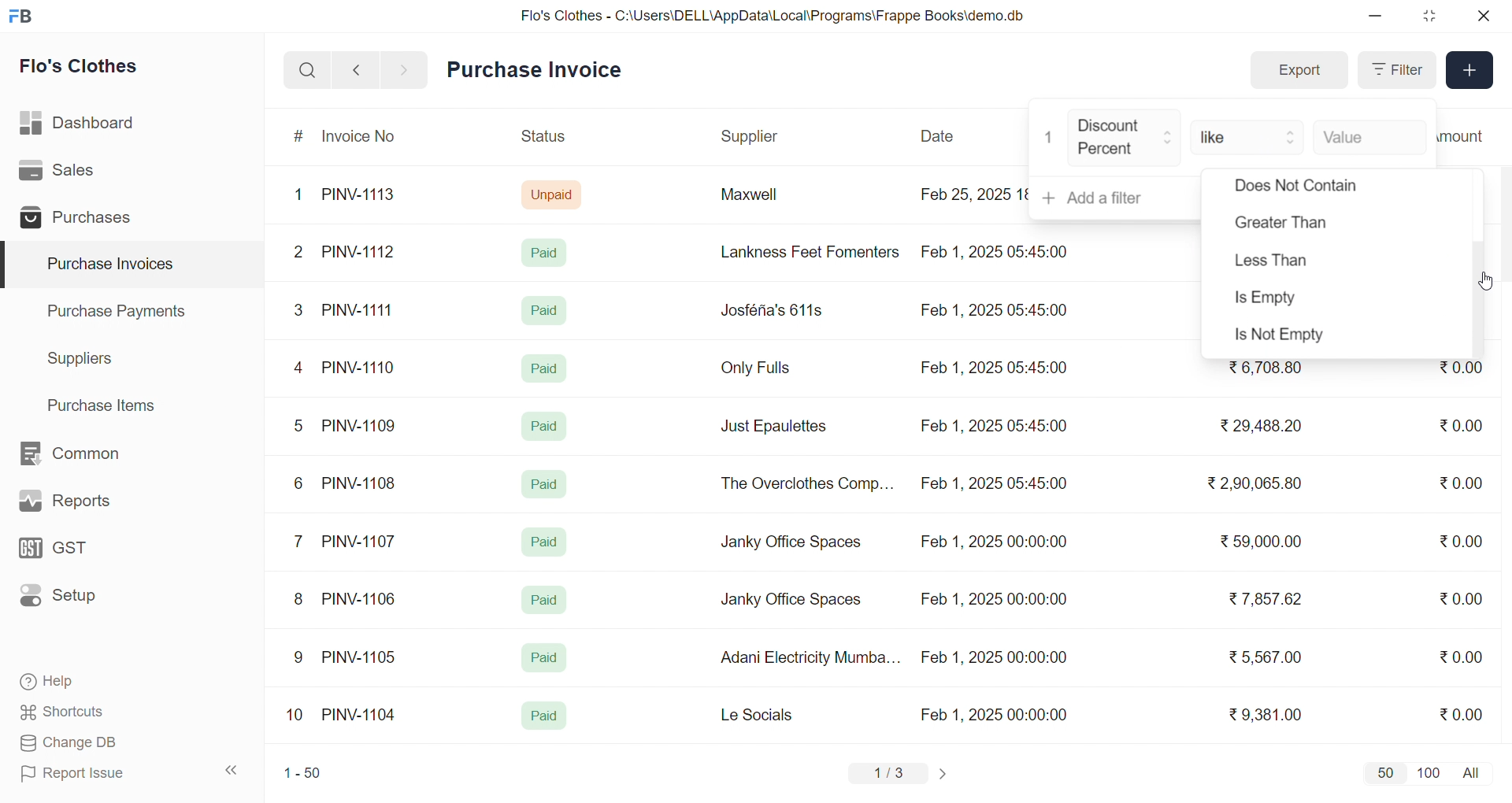  Describe the element at coordinates (1265, 368) in the screenshot. I see `₹6,708.80` at that location.